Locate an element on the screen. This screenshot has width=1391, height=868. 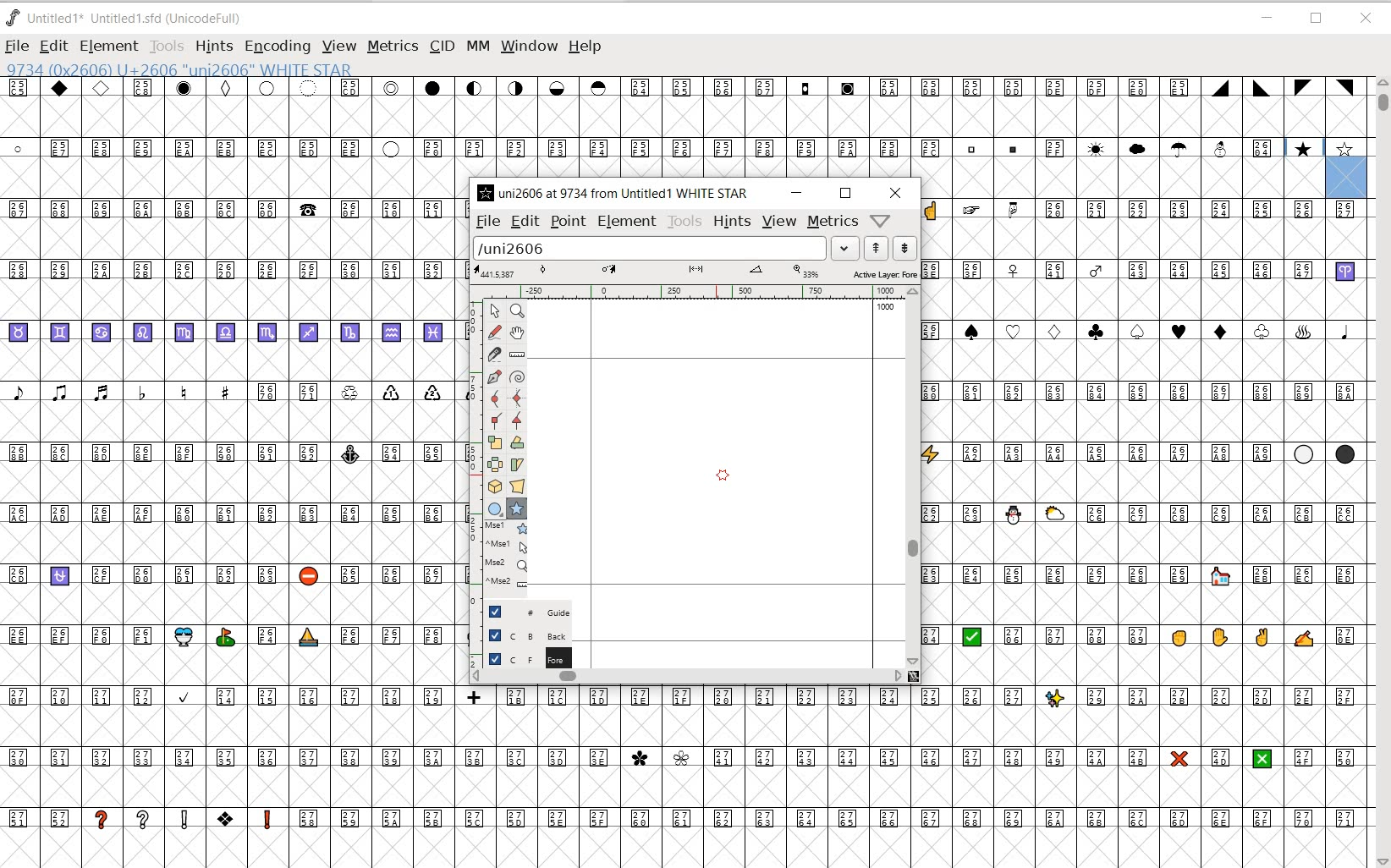
ROTATE THE SELECTION is located at coordinates (517, 442).